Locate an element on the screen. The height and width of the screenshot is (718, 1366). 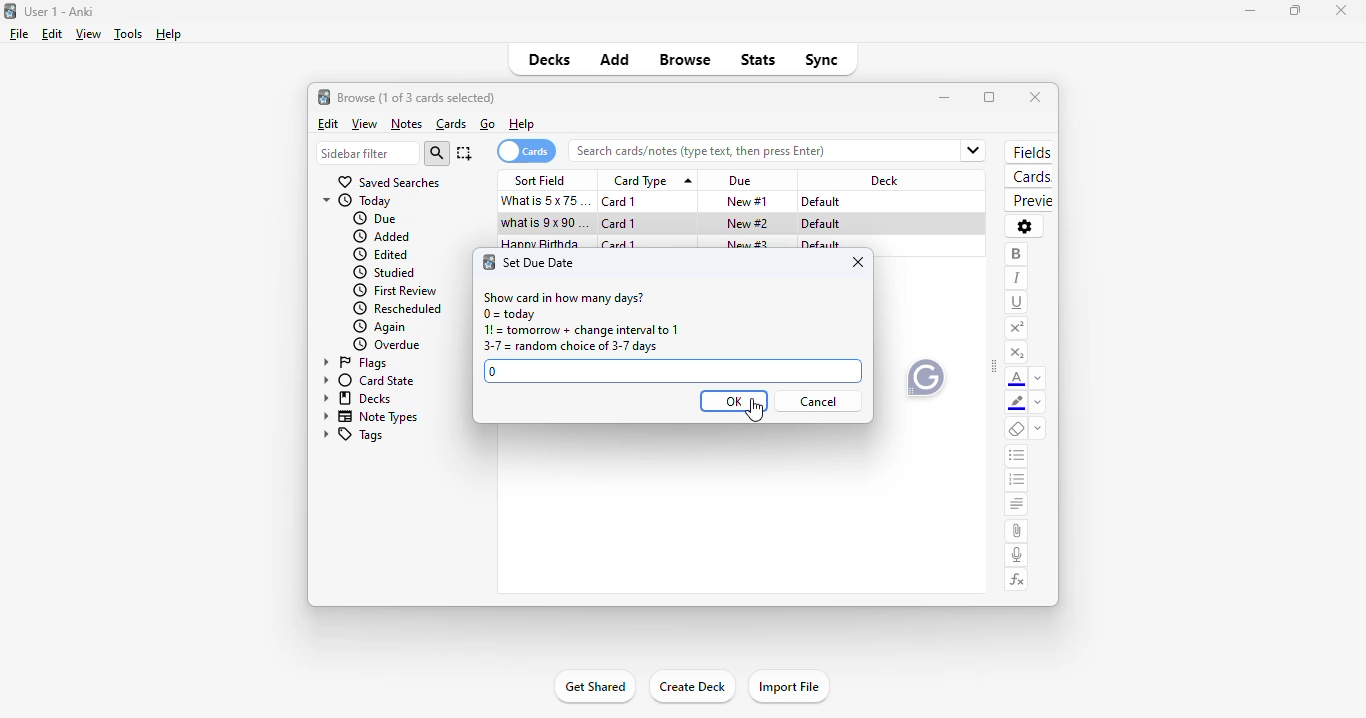
card 1 is located at coordinates (621, 202).